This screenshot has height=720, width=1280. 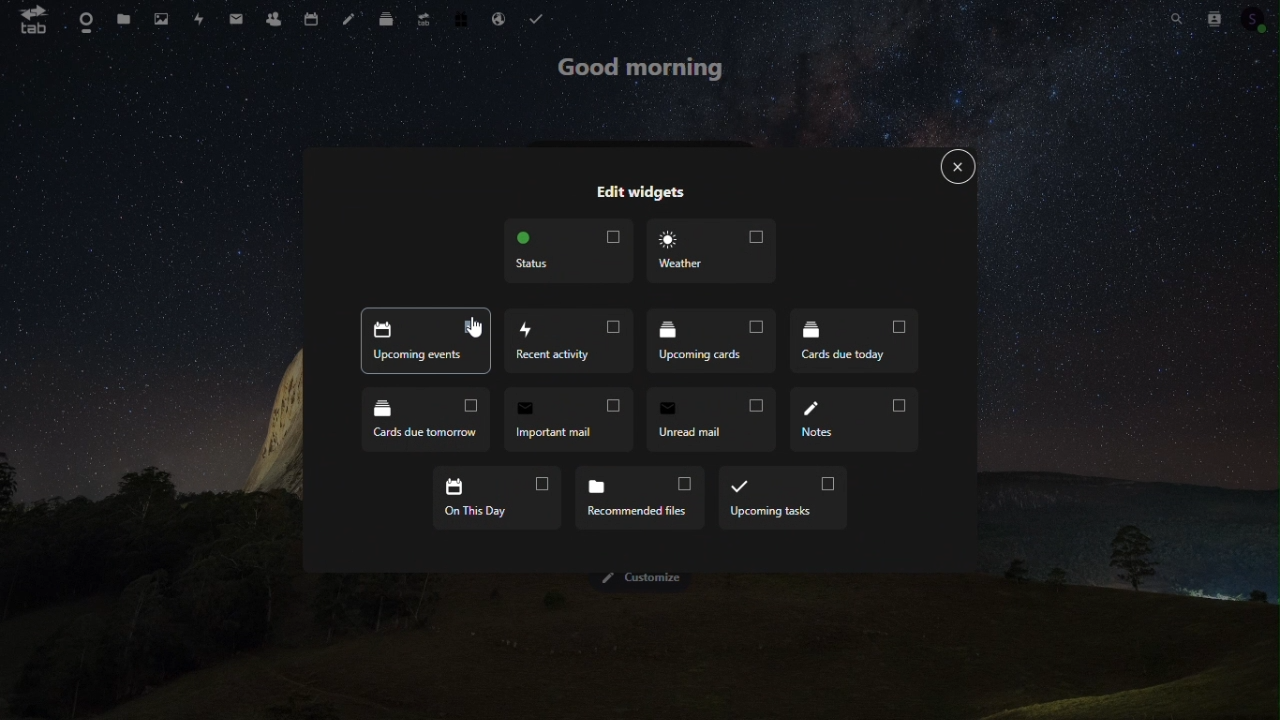 I want to click on unread email, so click(x=707, y=419).